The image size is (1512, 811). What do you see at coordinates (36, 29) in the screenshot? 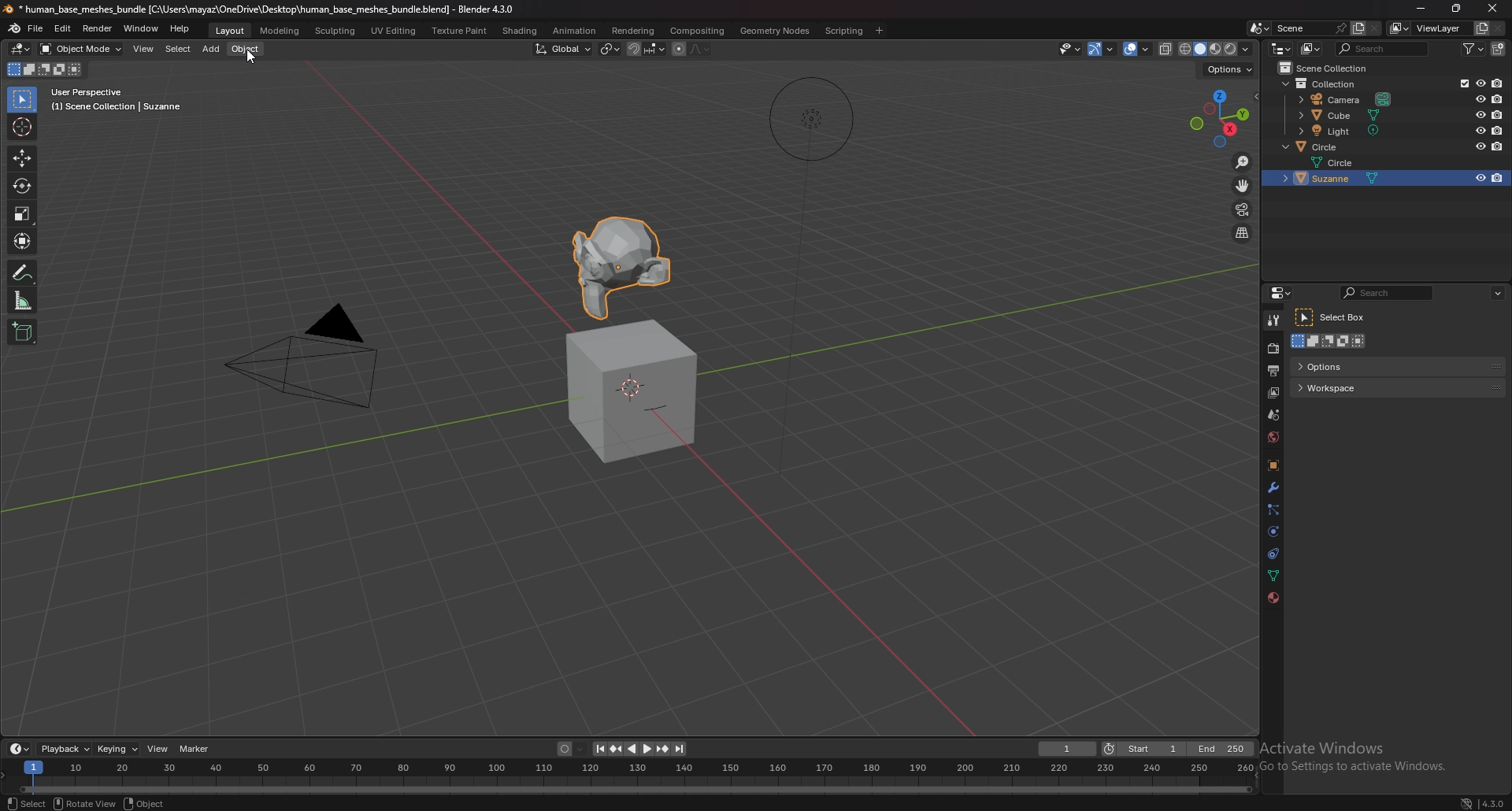
I see `file` at bounding box center [36, 29].